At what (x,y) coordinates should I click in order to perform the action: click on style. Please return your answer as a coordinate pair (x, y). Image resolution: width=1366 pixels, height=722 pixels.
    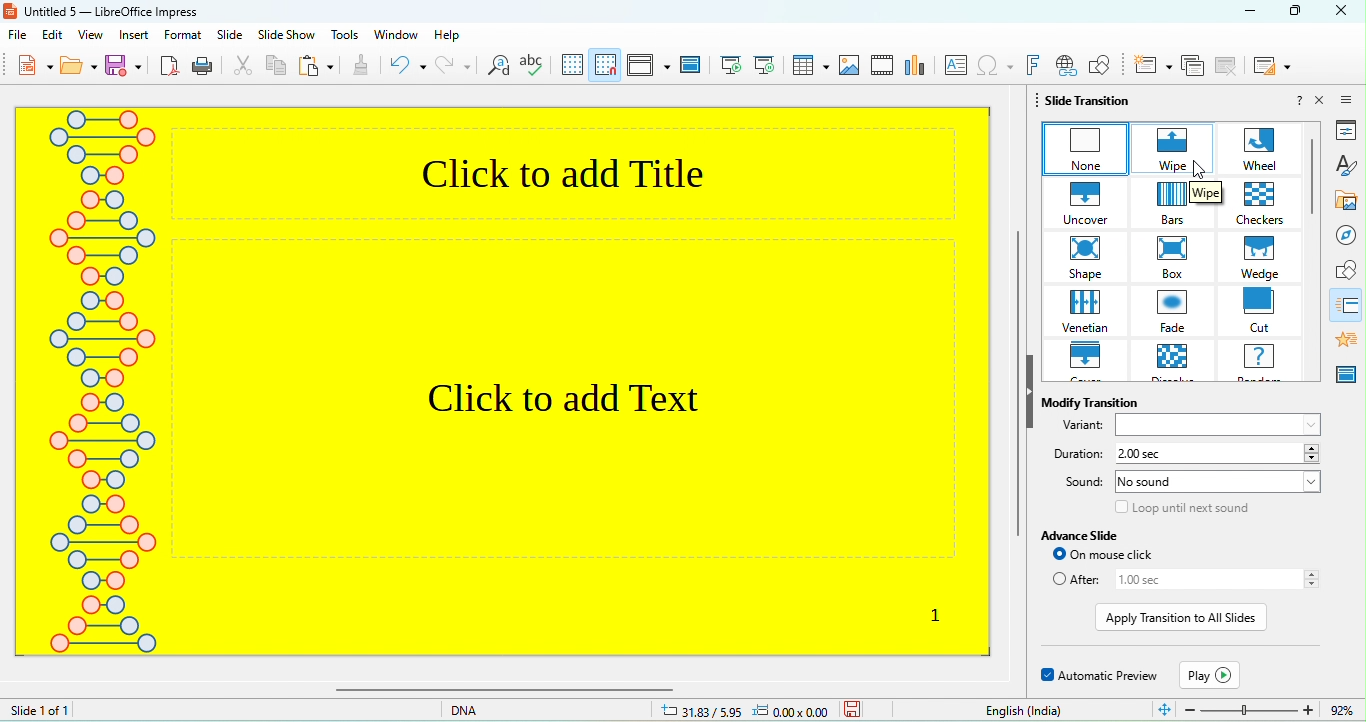
    Looking at the image, I should click on (1346, 166).